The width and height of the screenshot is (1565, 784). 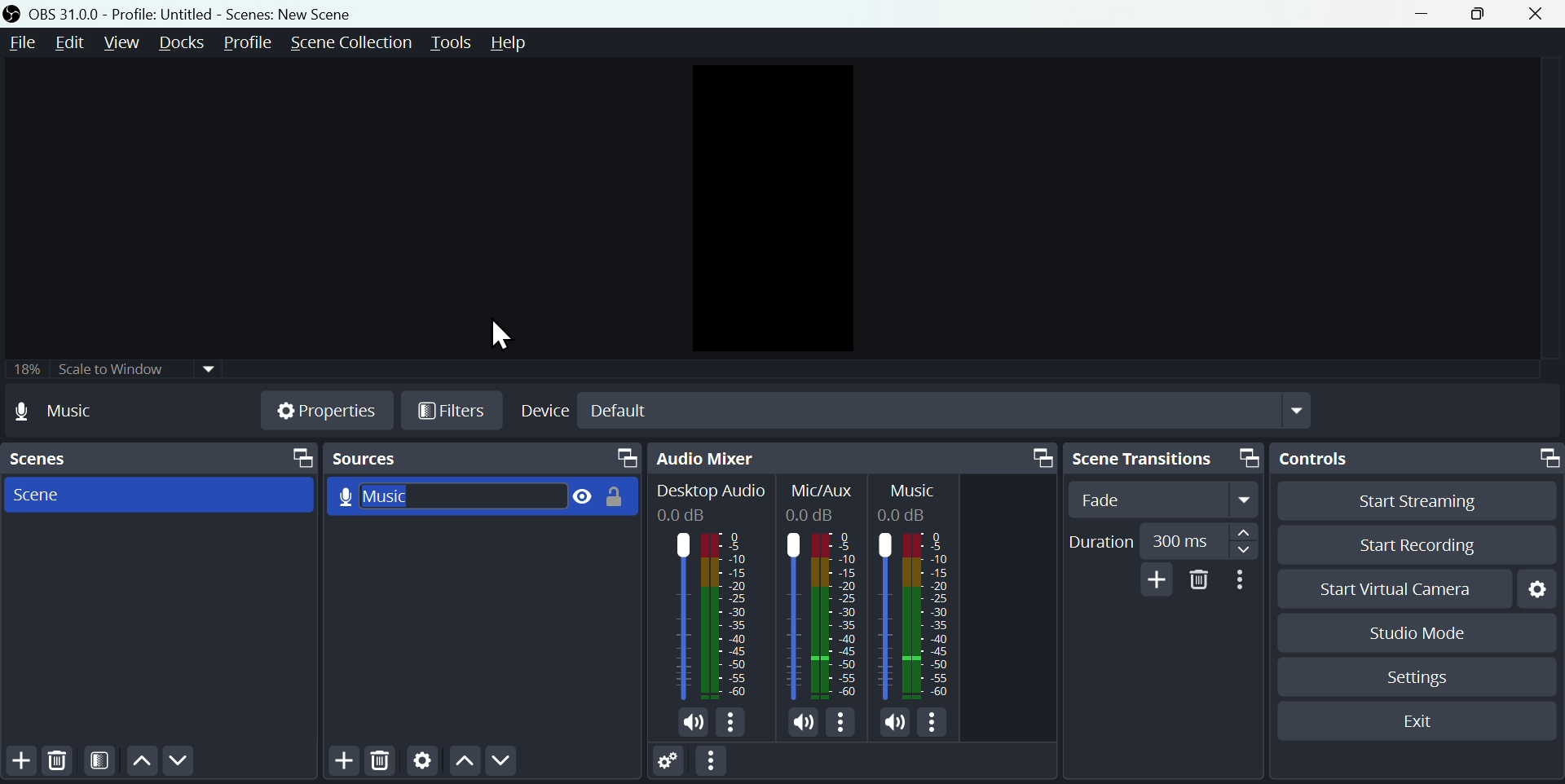 What do you see at coordinates (824, 614) in the screenshot?
I see `` at bounding box center [824, 614].